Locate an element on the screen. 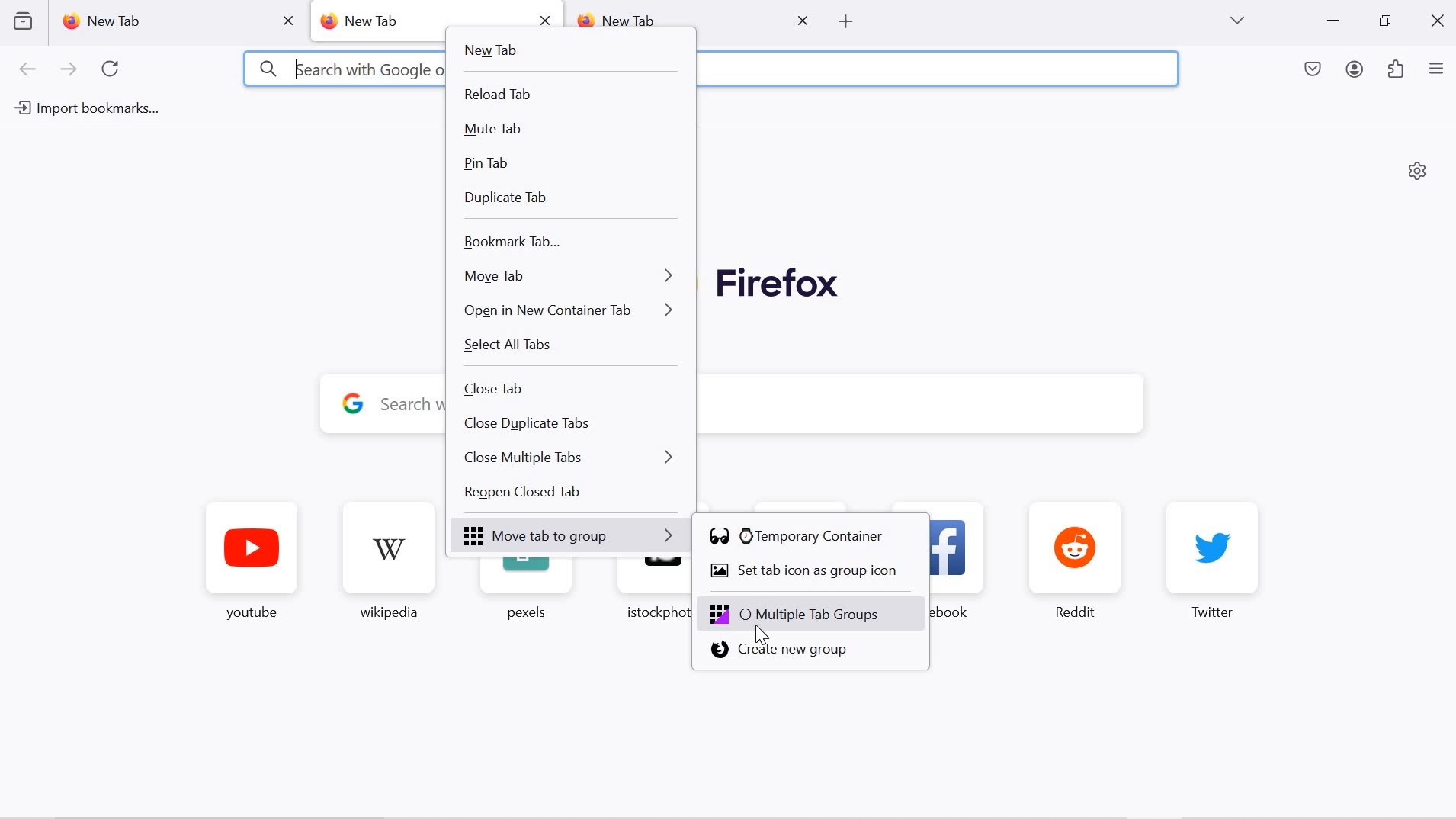 The image size is (1456, 819). new tab is located at coordinates (678, 14).